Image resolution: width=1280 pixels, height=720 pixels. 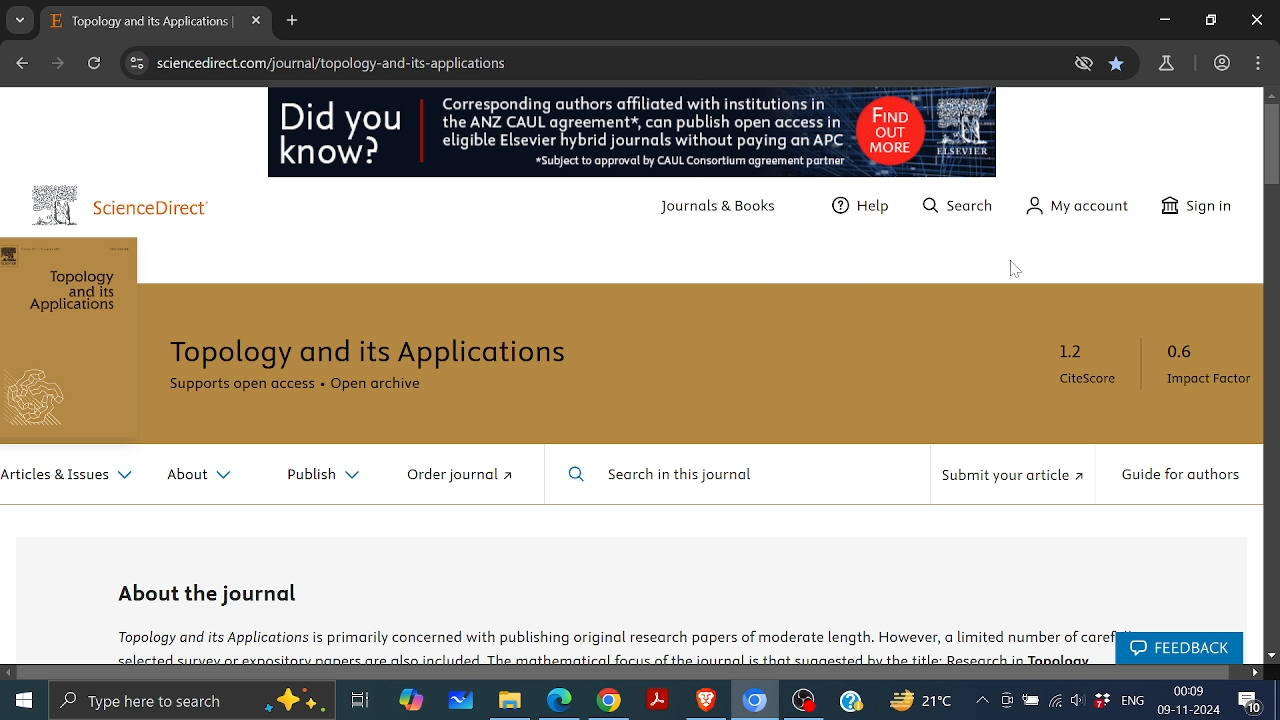 What do you see at coordinates (609, 700) in the screenshot?
I see `Google Chrome` at bounding box center [609, 700].